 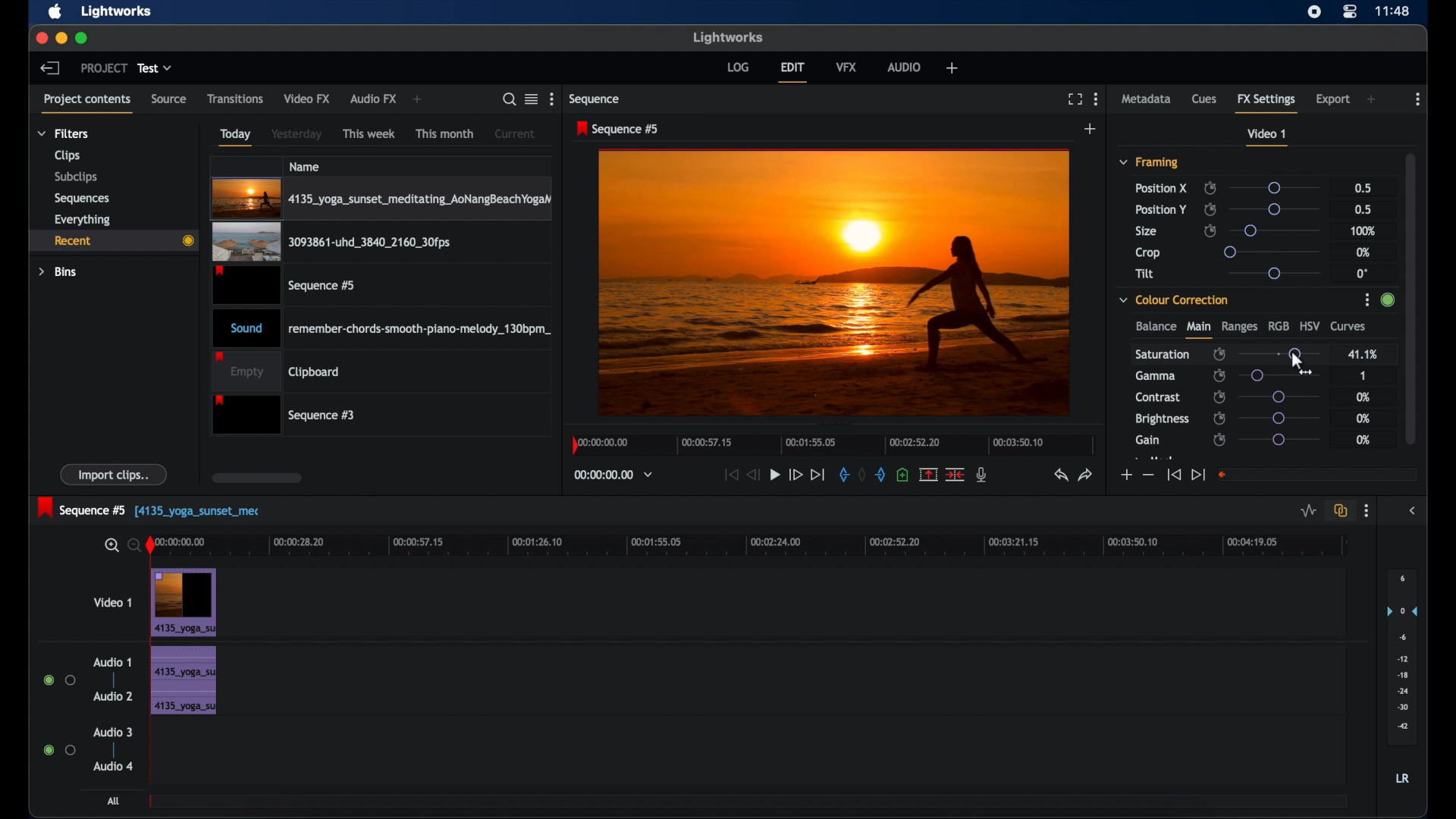 What do you see at coordinates (830, 448) in the screenshot?
I see `timeline` at bounding box center [830, 448].